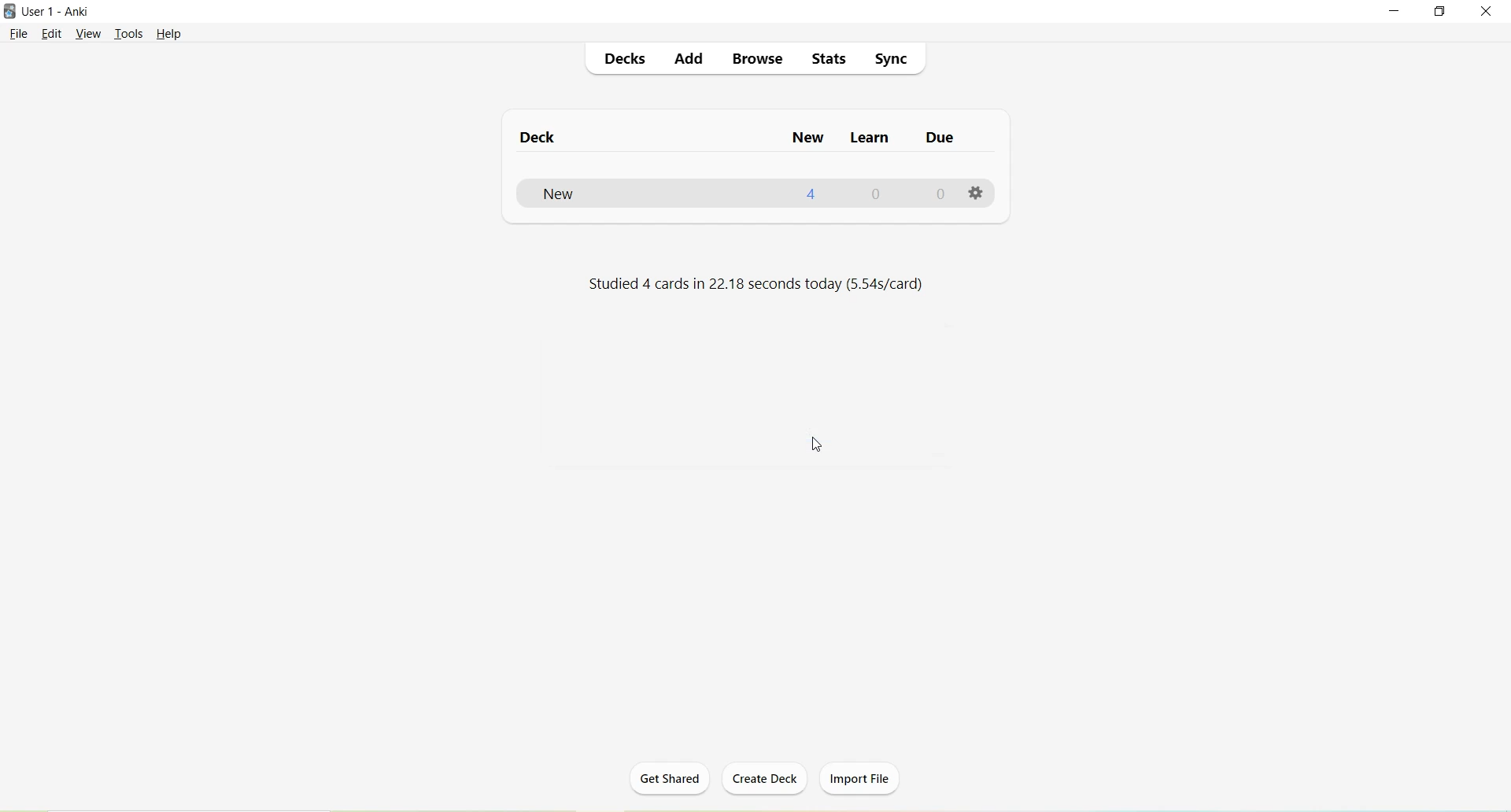 The height and width of the screenshot is (812, 1511). What do you see at coordinates (890, 61) in the screenshot?
I see `Sync` at bounding box center [890, 61].